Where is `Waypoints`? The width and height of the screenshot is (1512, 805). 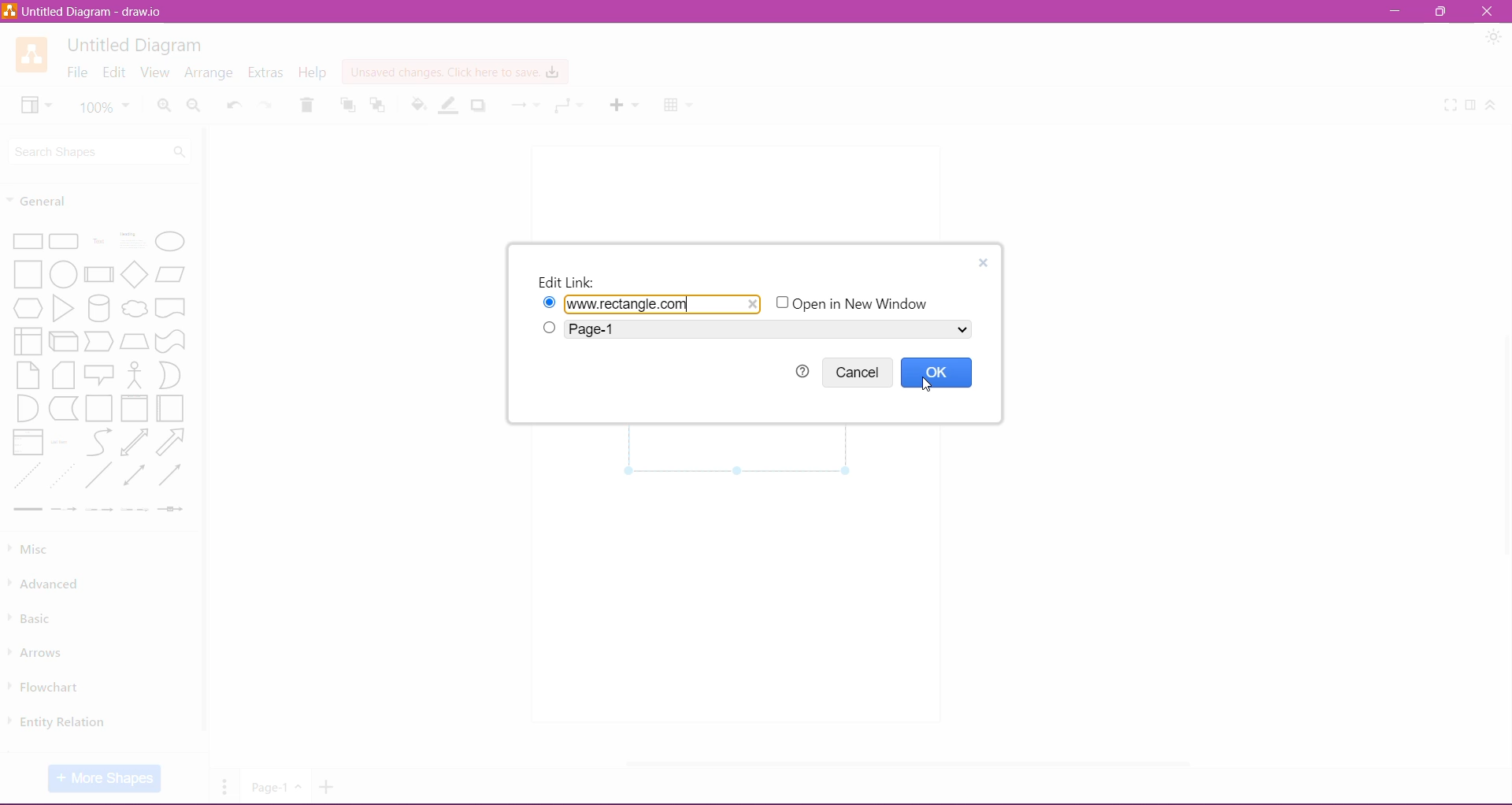
Waypoints is located at coordinates (569, 106).